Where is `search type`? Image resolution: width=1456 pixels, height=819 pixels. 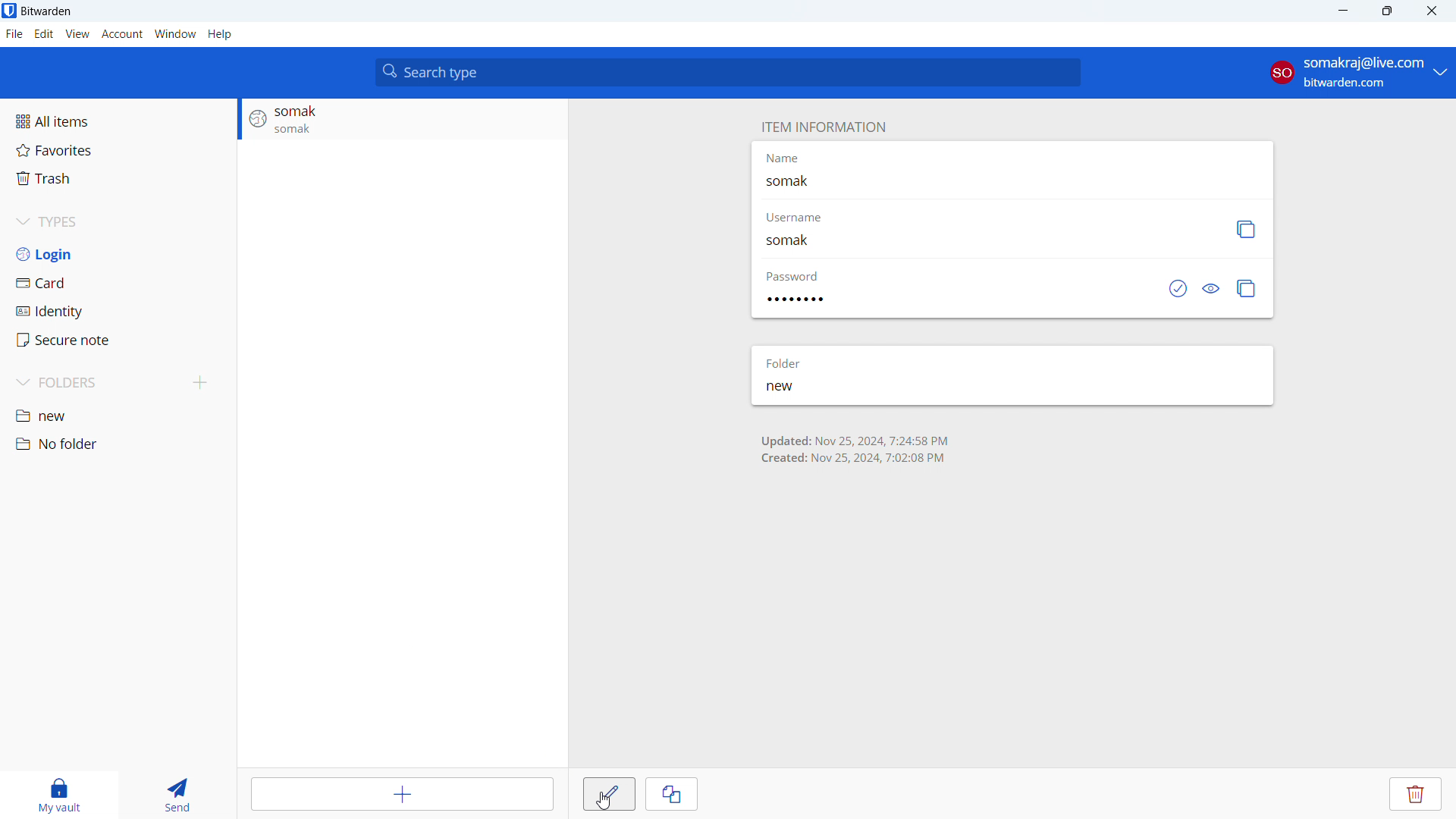
search type is located at coordinates (728, 72).